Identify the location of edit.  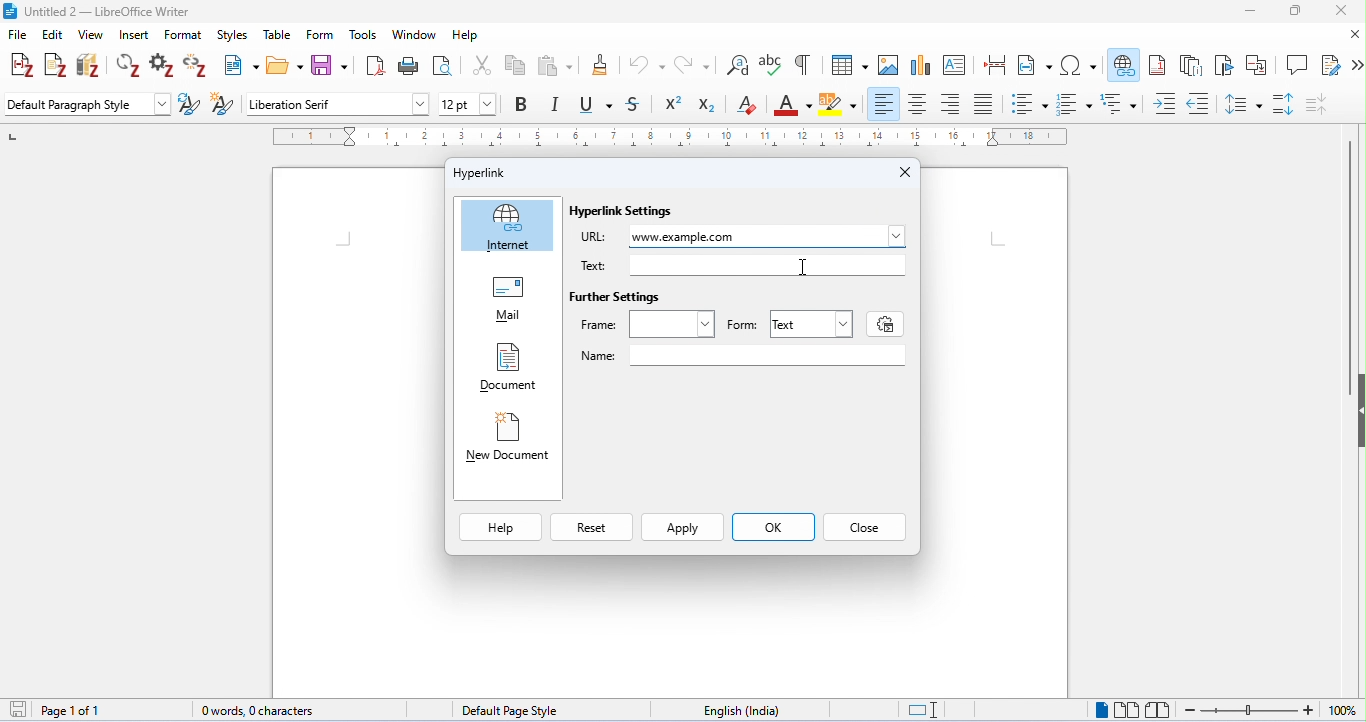
(55, 34).